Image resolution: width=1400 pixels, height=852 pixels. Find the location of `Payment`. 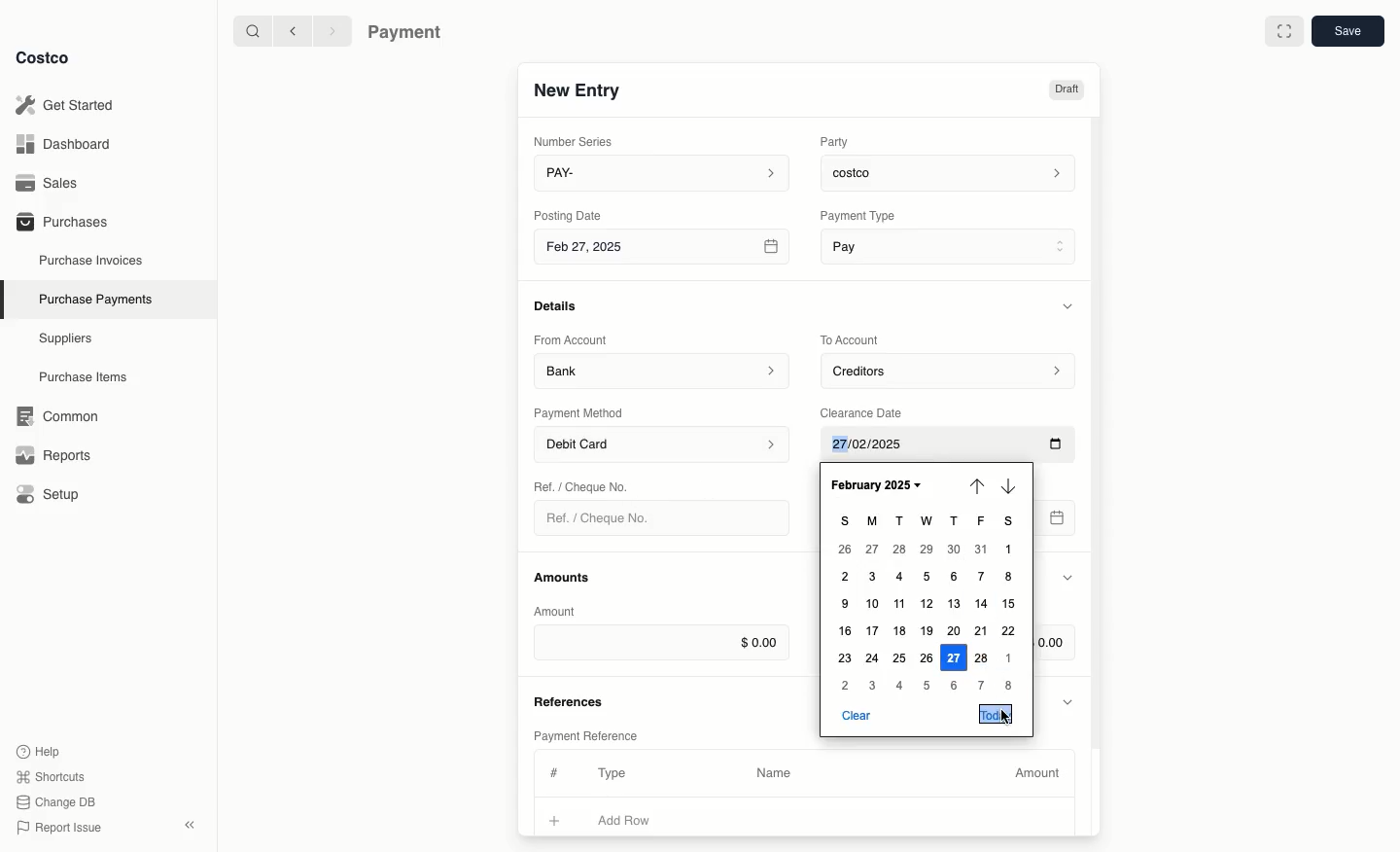

Payment is located at coordinates (409, 34).